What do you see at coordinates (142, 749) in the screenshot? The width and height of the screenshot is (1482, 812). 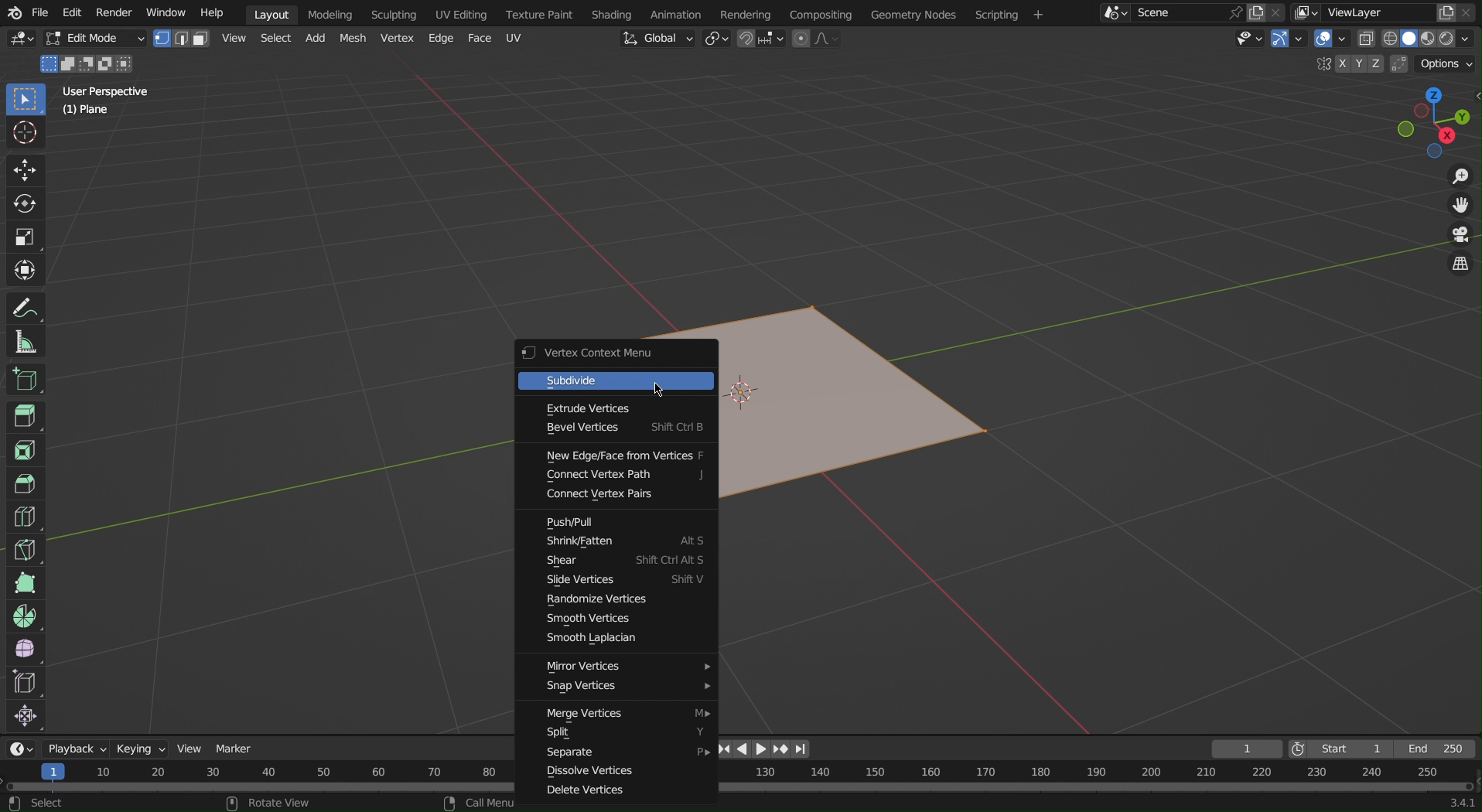 I see `Keying` at bounding box center [142, 749].